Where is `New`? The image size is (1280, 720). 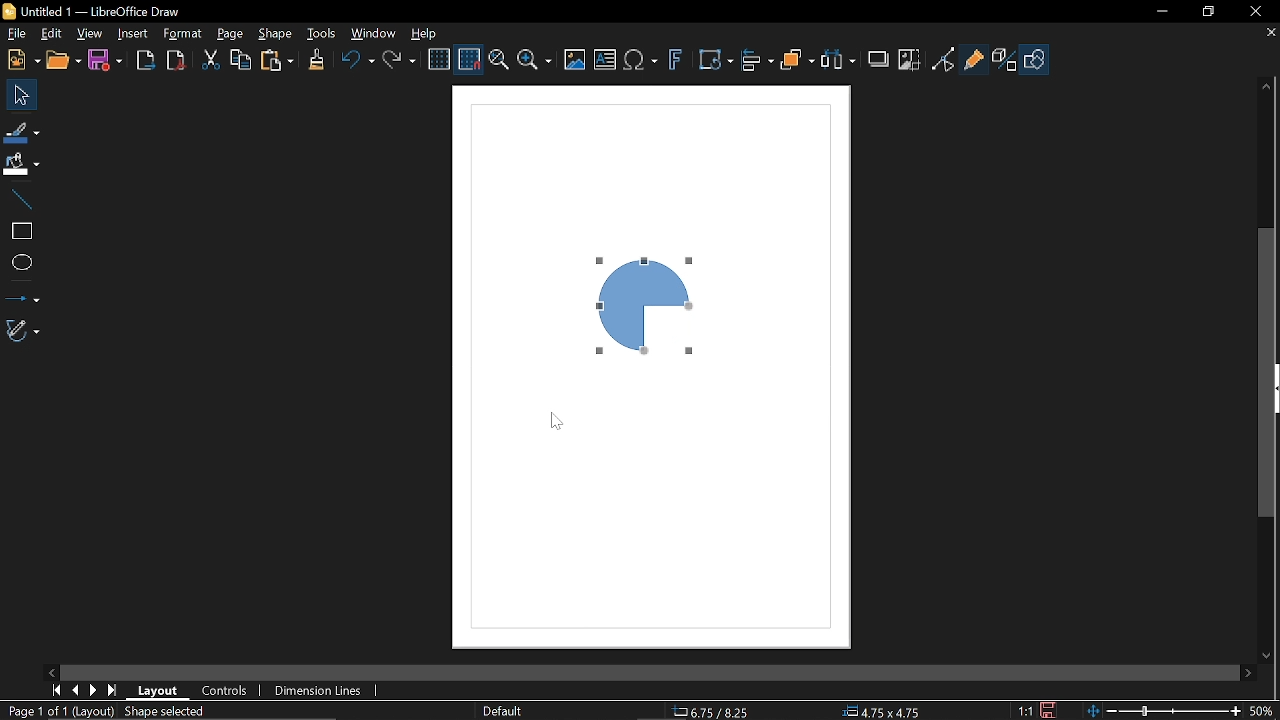 New is located at coordinates (21, 59).